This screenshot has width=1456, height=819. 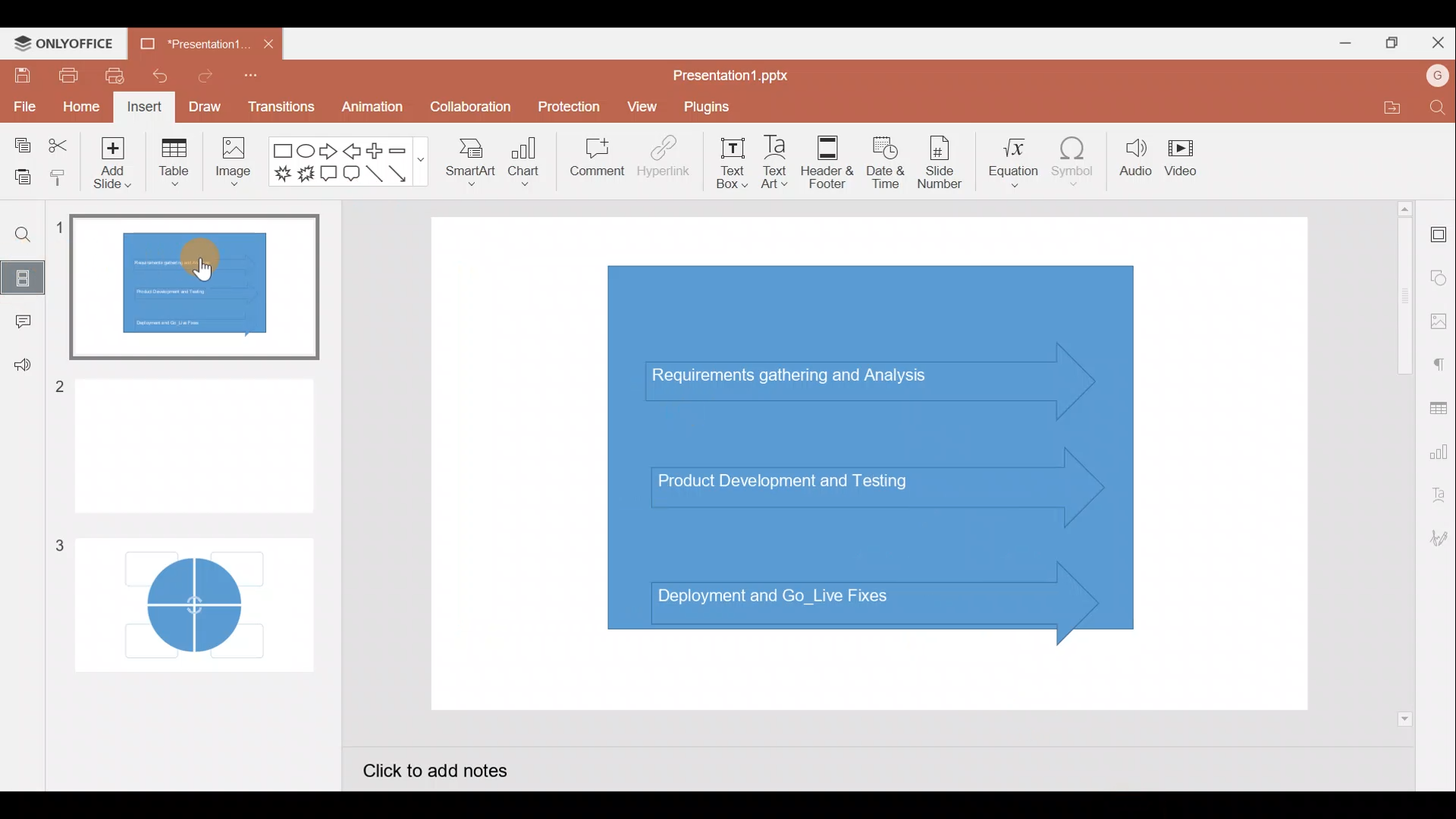 What do you see at coordinates (281, 172) in the screenshot?
I see `Explosion 1` at bounding box center [281, 172].